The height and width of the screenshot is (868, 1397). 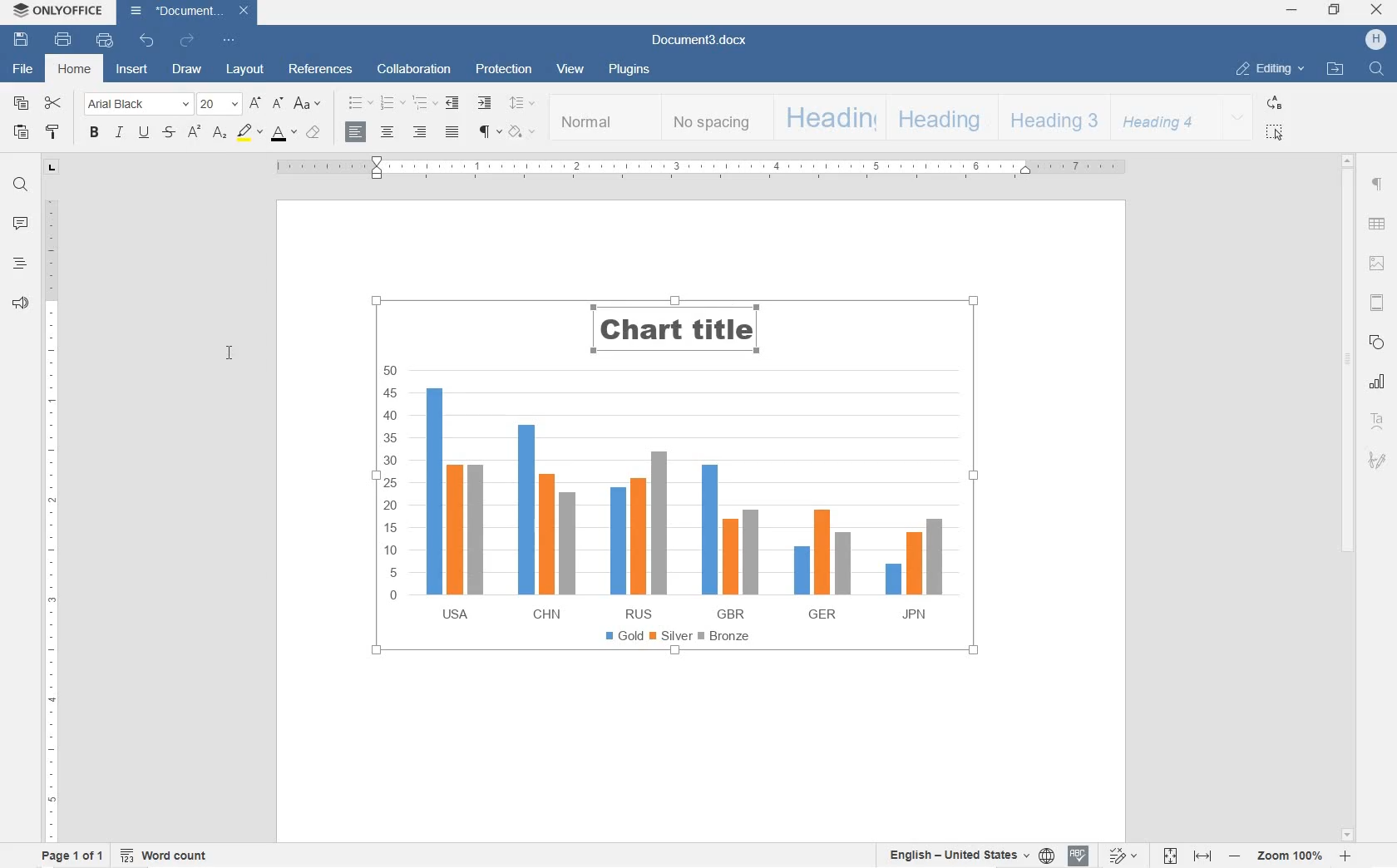 What do you see at coordinates (227, 40) in the screenshot?
I see `CUSTOMIZE QUICK ACCESS TOOLBAR` at bounding box center [227, 40].